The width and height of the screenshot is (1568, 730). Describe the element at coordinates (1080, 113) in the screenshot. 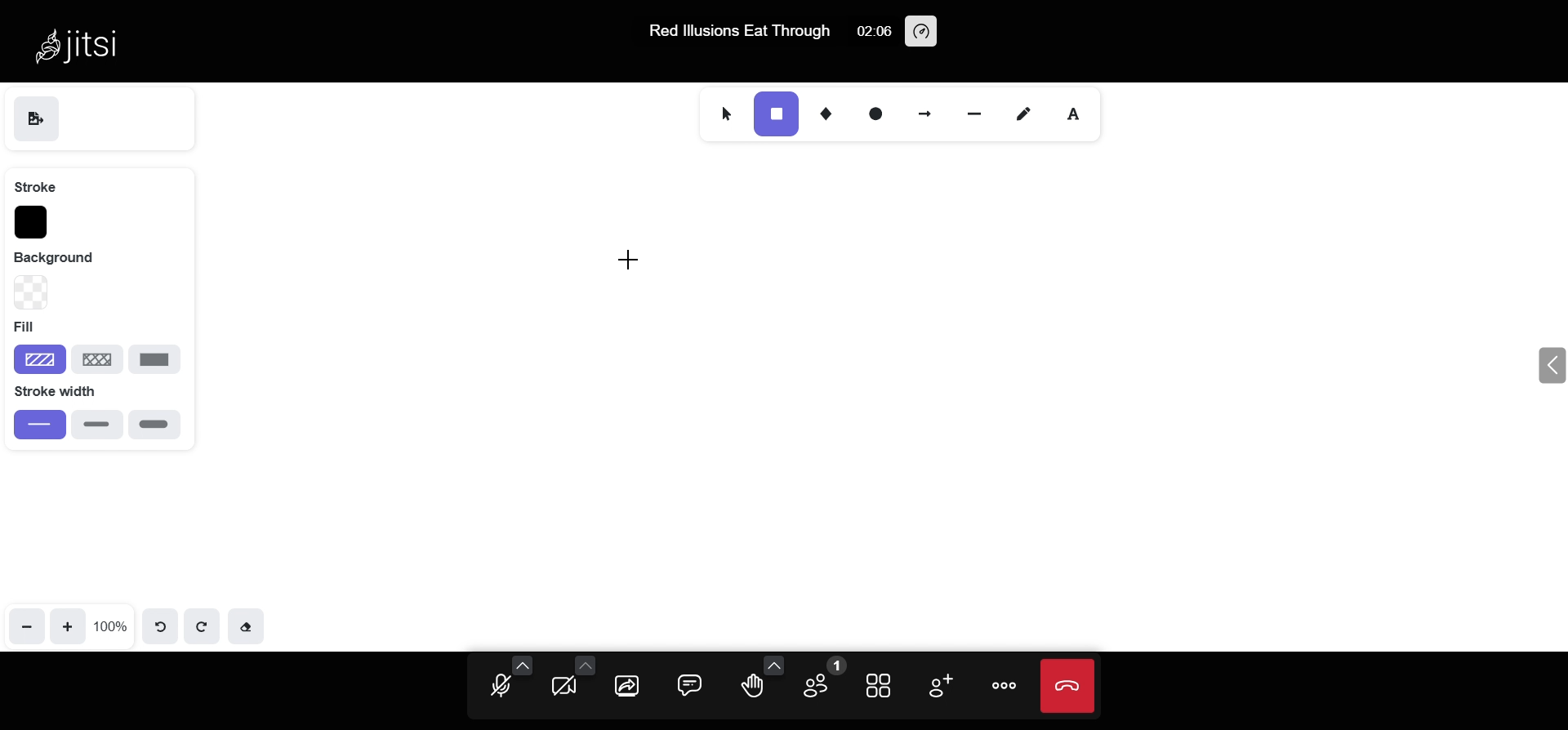

I see `text` at that location.